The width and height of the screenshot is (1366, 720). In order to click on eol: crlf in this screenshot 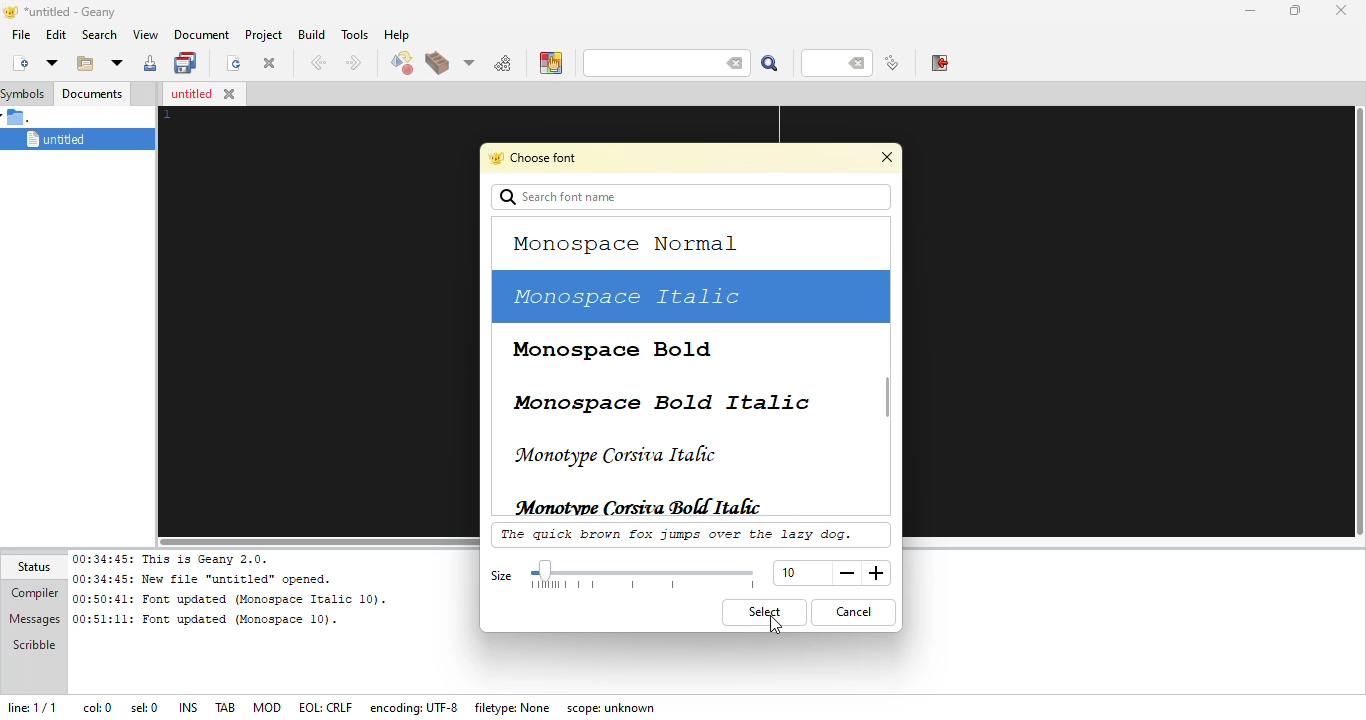, I will do `click(325, 708)`.